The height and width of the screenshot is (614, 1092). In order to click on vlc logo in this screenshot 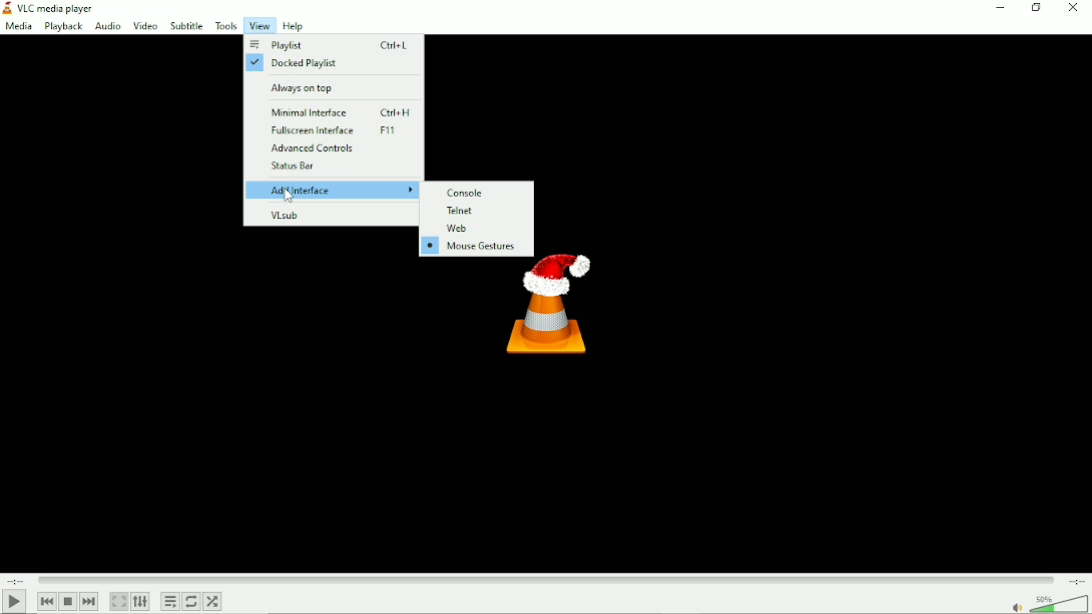, I will do `click(7, 8)`.